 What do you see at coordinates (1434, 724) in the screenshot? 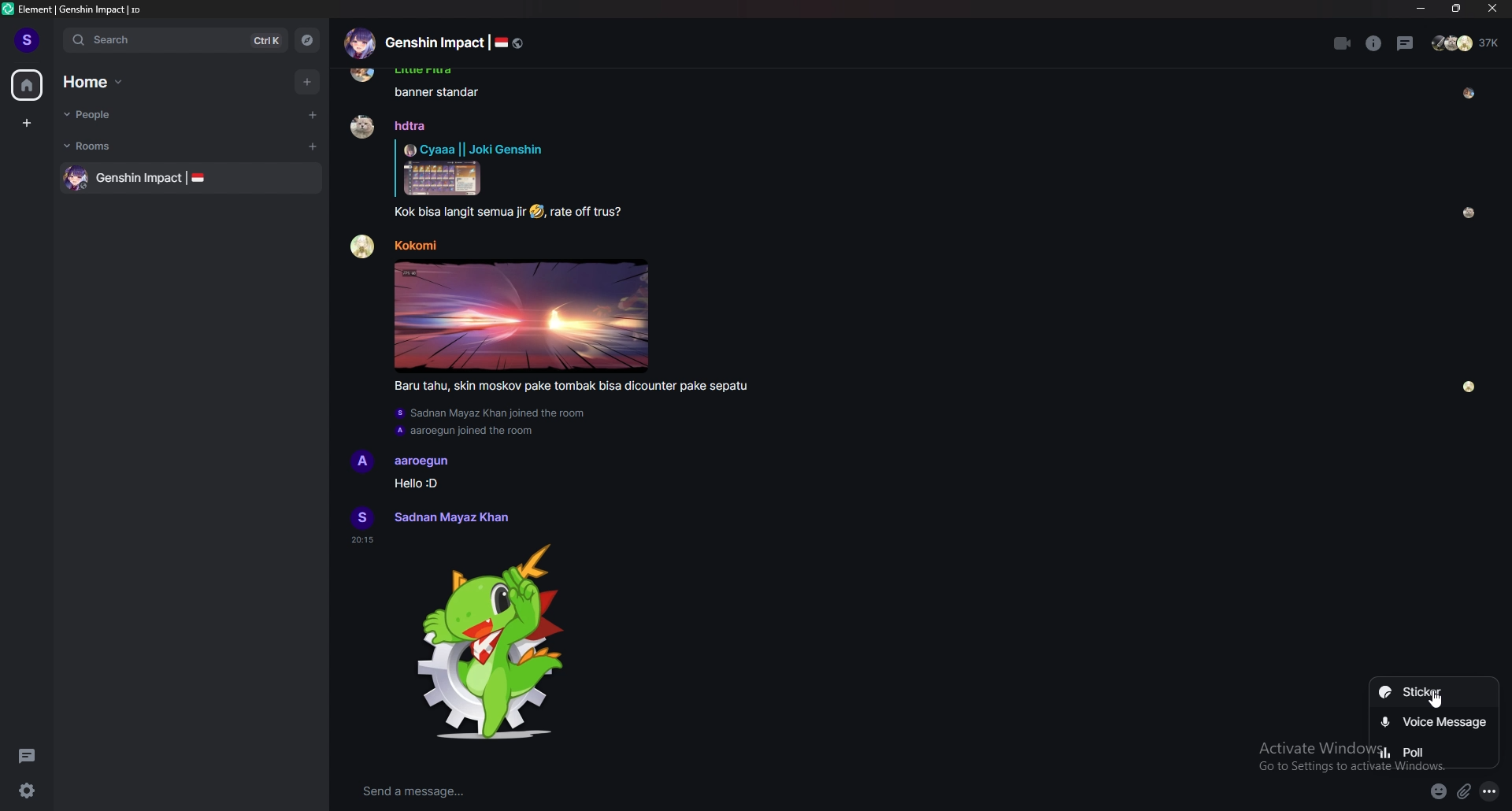
I see `voice message` at bounding box center [1434, 724].